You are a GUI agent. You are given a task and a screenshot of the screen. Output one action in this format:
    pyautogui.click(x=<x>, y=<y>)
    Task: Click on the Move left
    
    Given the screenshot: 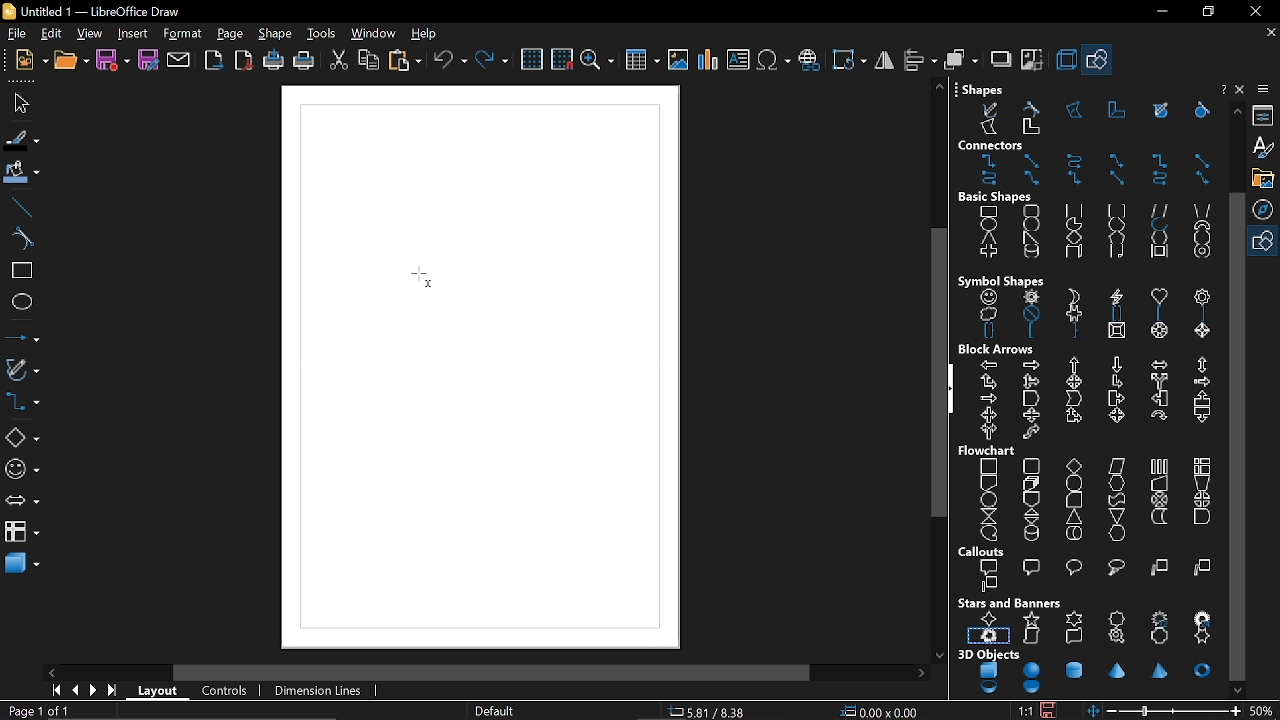 What is the action you would take?
    pyautogui.click(x=51, y=672)
    